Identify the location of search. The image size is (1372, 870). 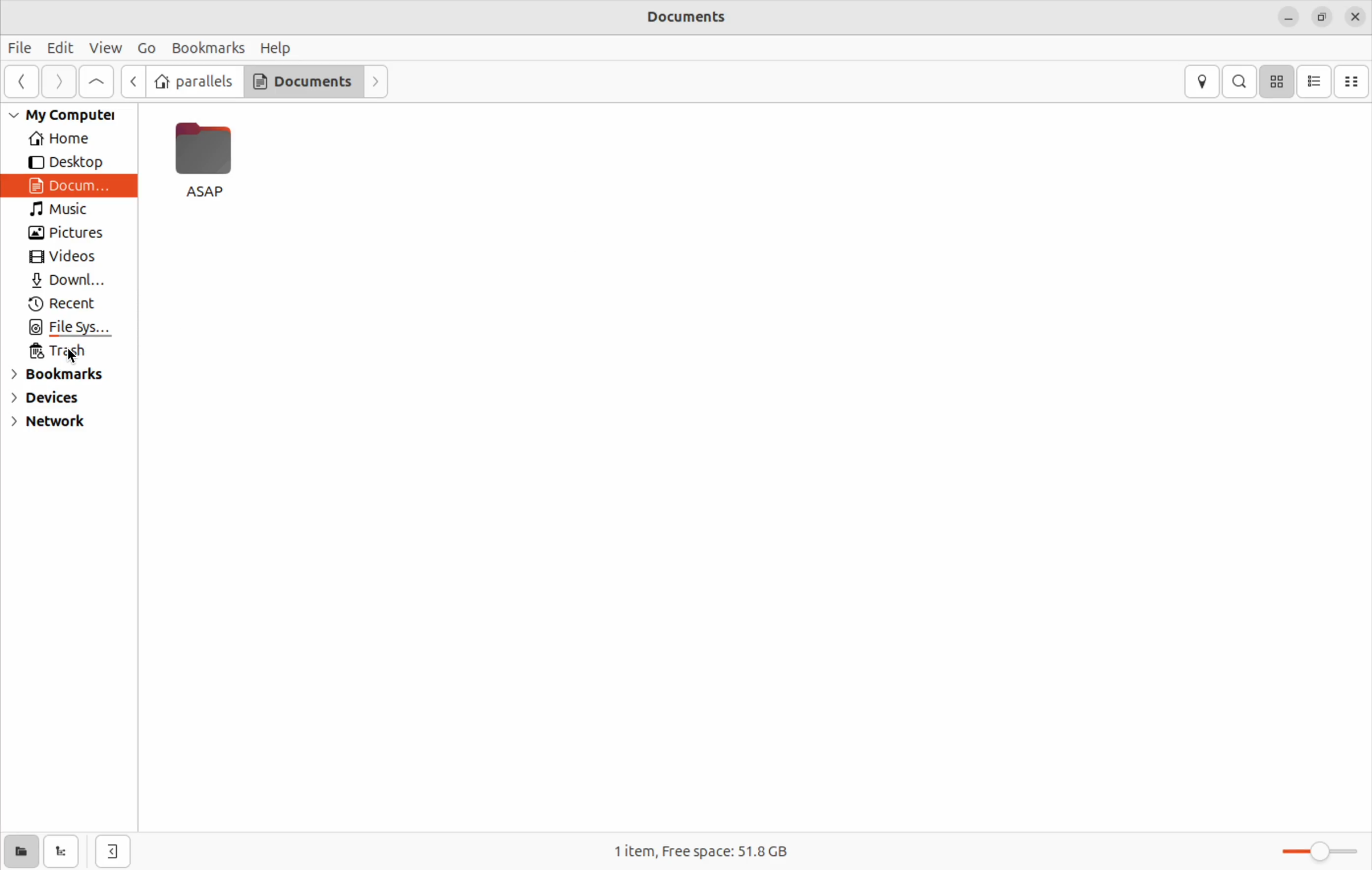
(1239, 82).